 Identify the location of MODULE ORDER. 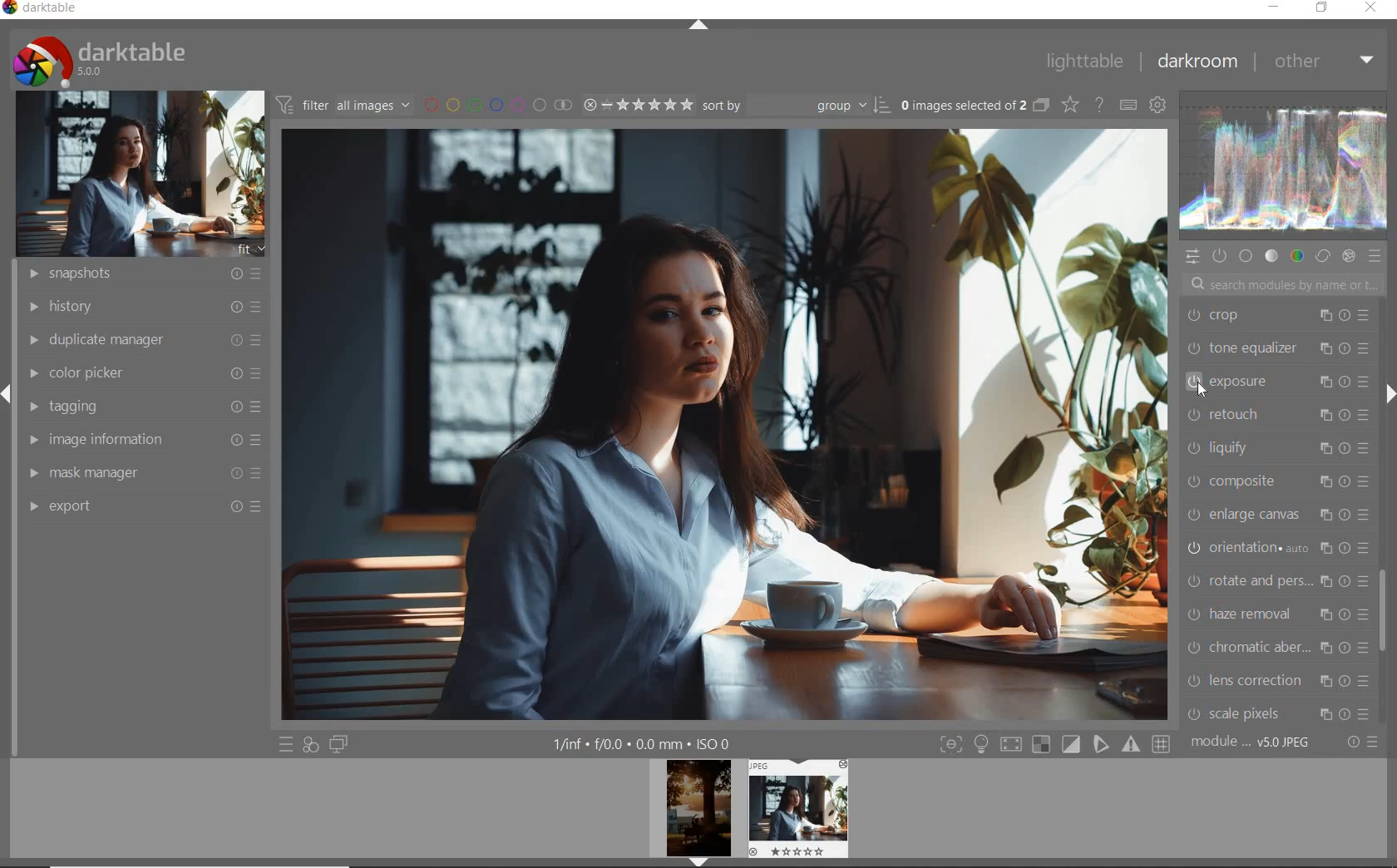
(1251, 743).